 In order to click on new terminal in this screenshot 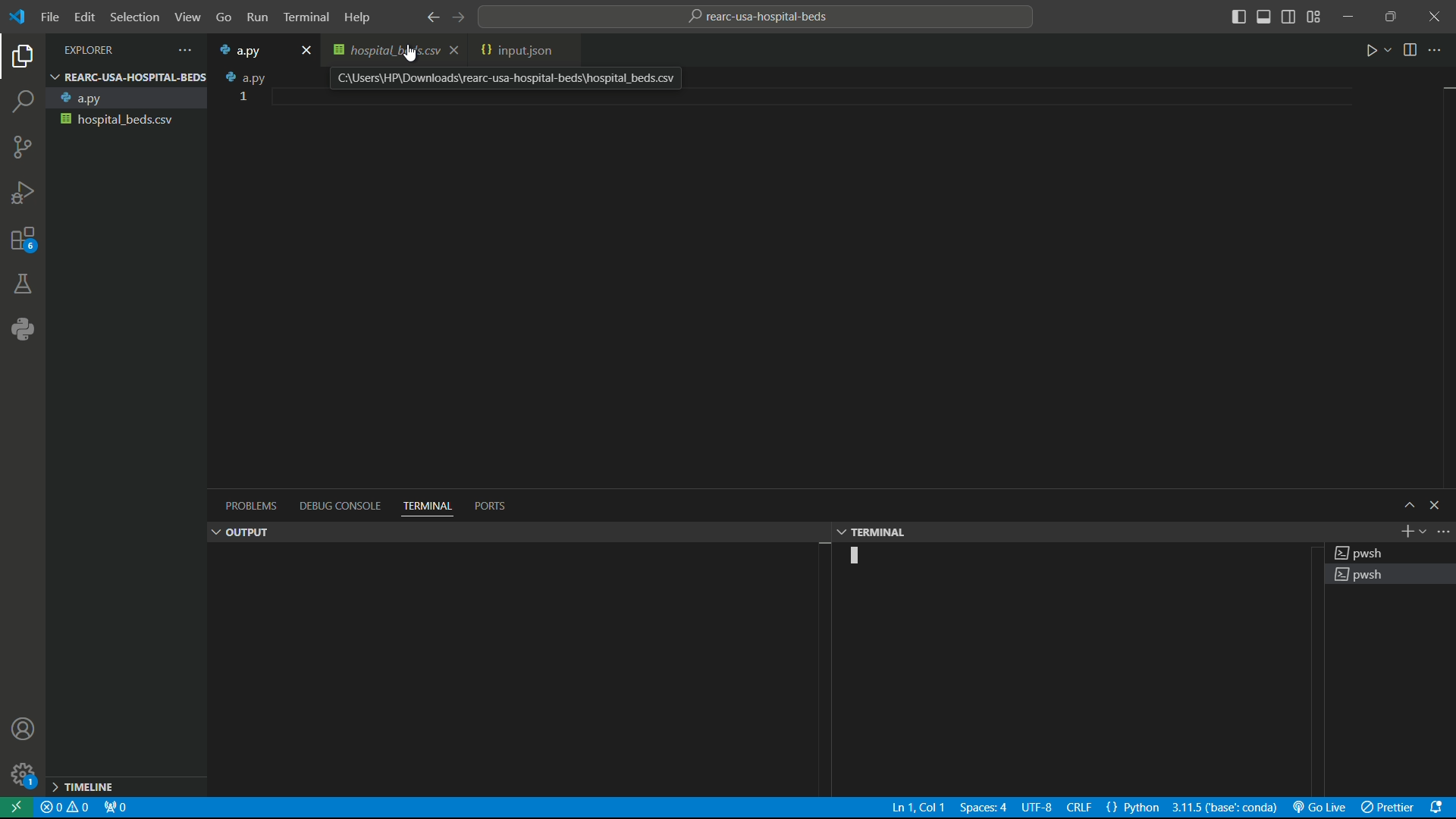, I will do `click(1405, 532)`.